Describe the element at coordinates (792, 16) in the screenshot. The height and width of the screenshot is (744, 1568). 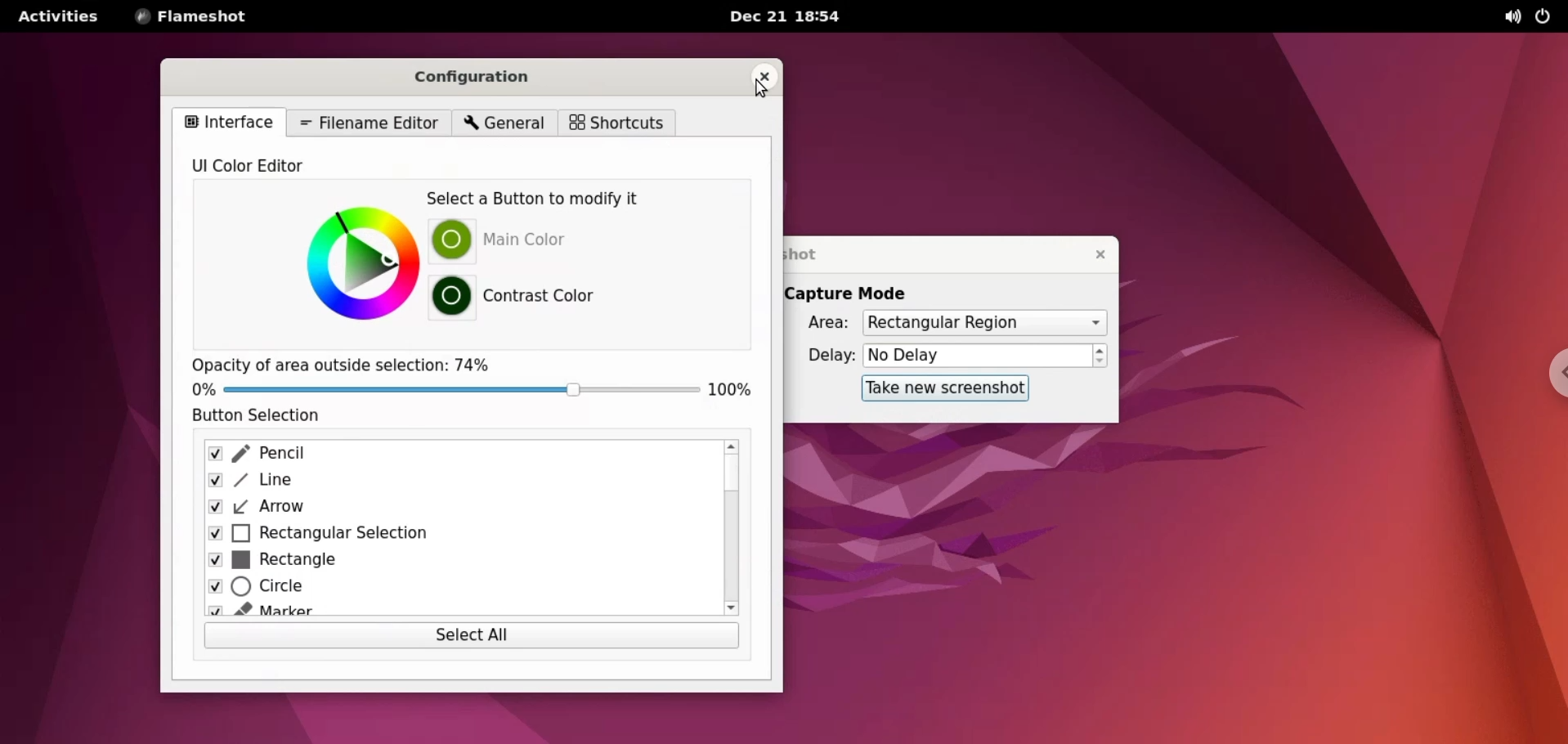
I see `Dec 21 18:54` at that location.